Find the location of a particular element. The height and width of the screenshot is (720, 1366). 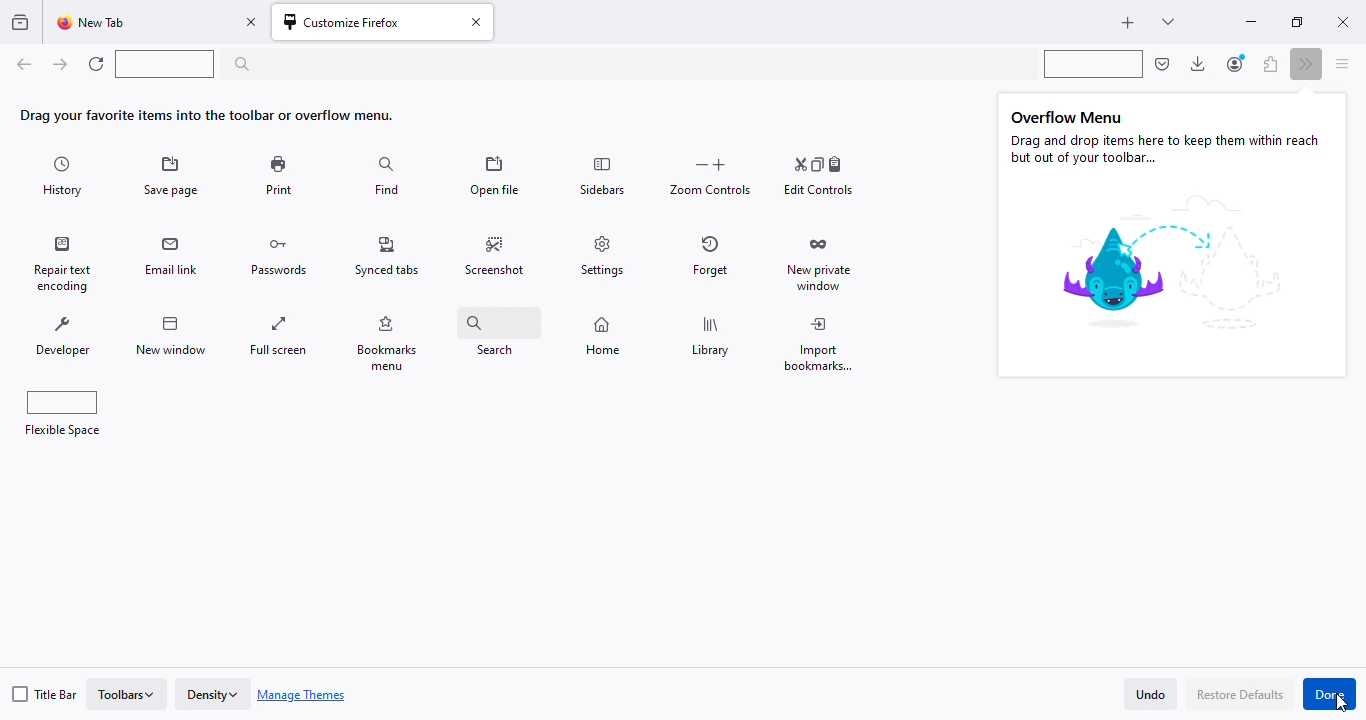

close is located at coordinates (1344, 22).